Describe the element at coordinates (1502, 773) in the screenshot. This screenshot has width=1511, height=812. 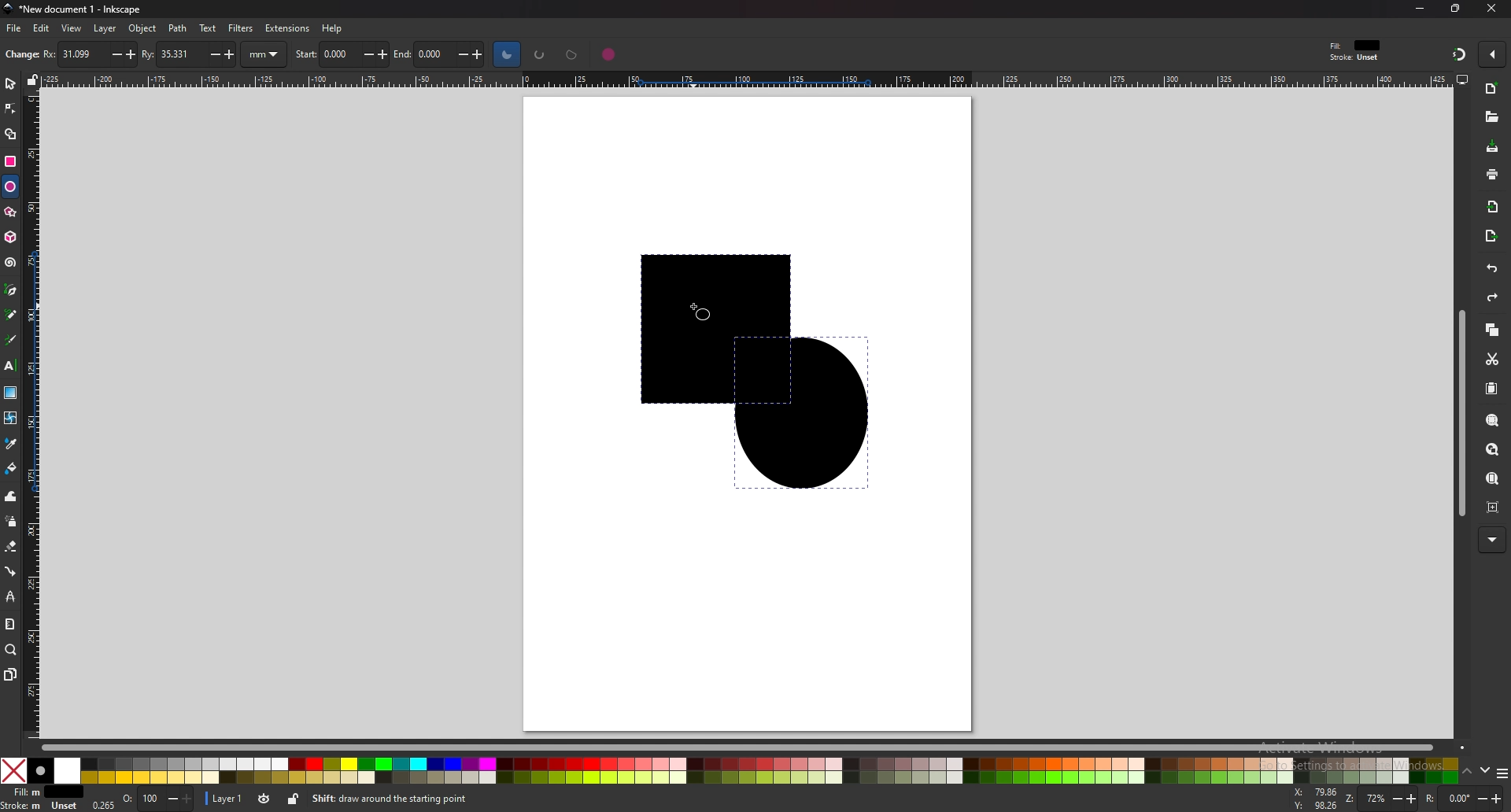
I see `more colors` at that location.